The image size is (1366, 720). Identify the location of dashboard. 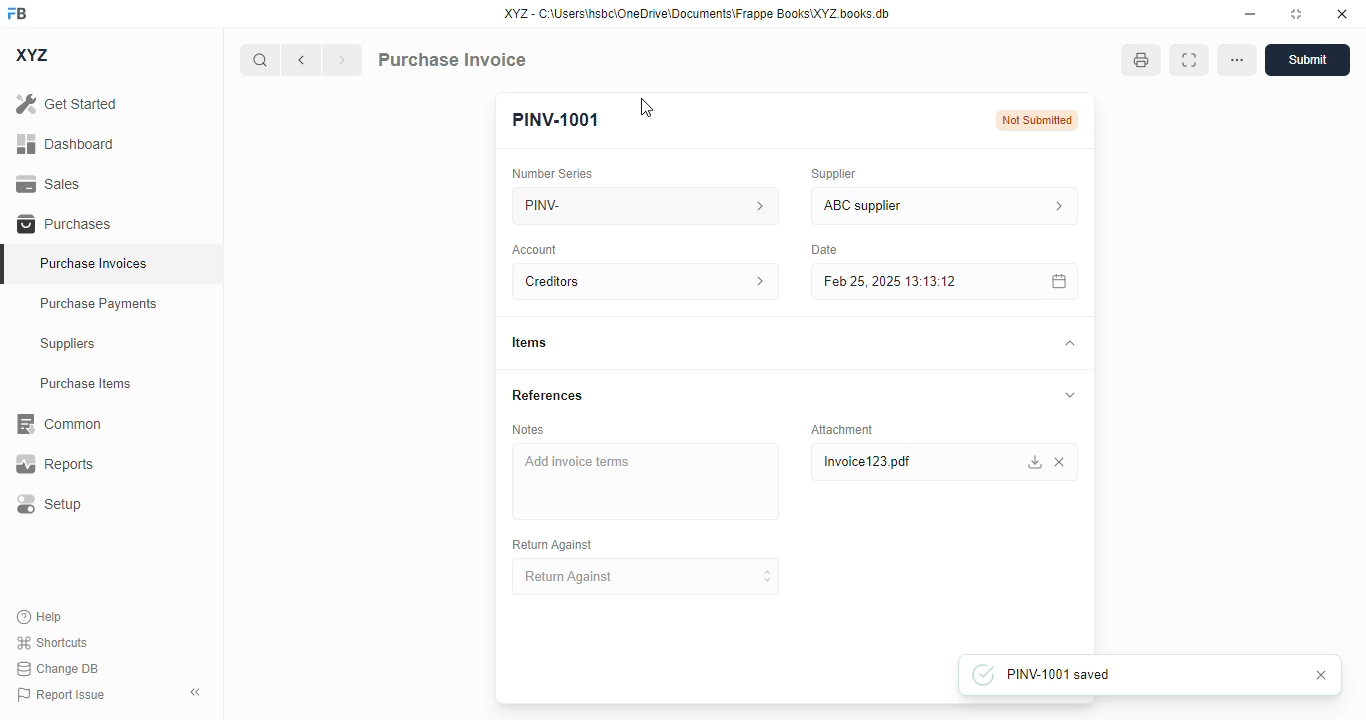
(65, 143).